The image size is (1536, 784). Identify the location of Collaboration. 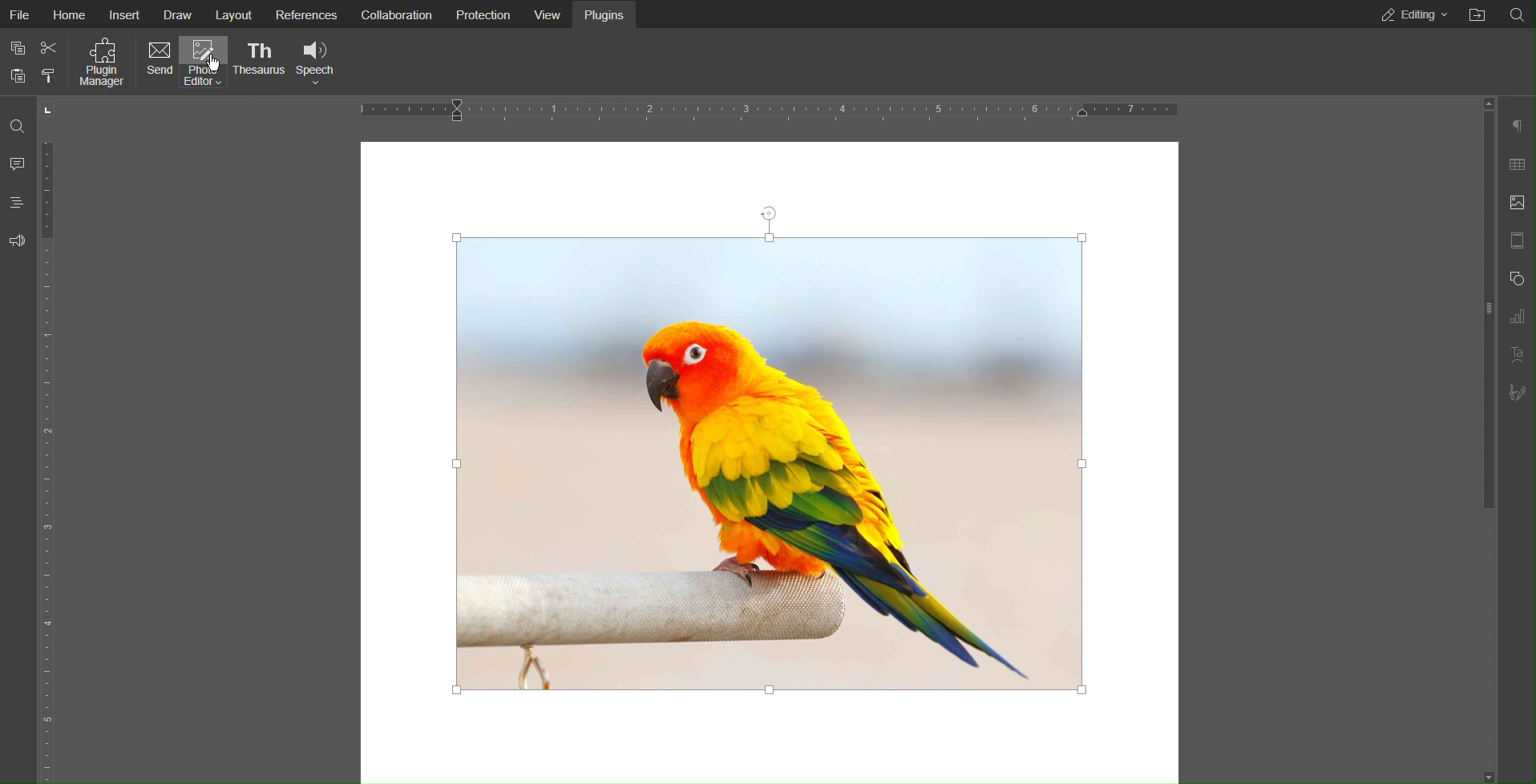
(397, 14).